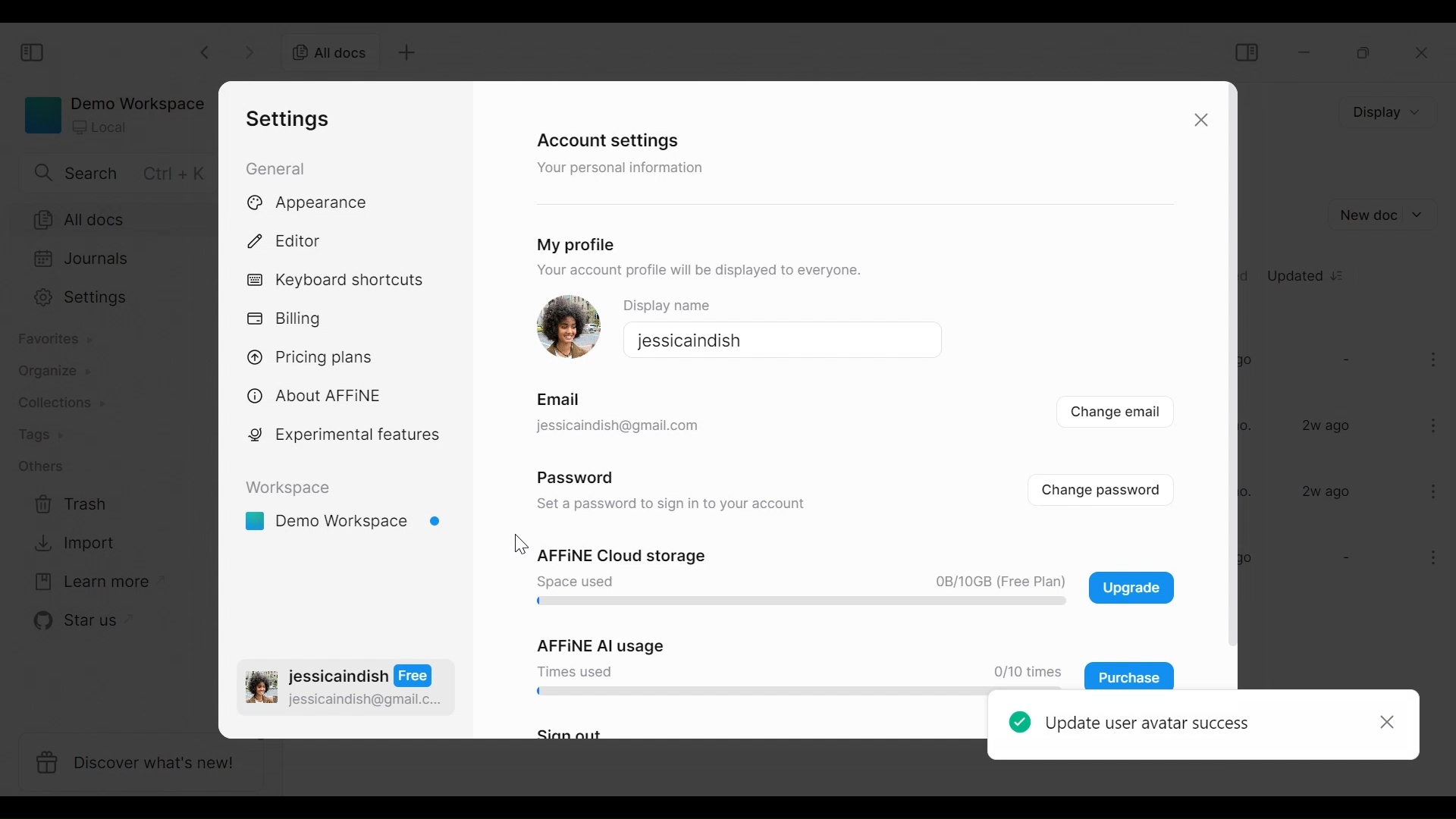 The height and width of the screenshot is (819, 1456). What do you see at coordinates (1344, 559) in the screenshot?
I see `-` at bounding box center [1344, 559].